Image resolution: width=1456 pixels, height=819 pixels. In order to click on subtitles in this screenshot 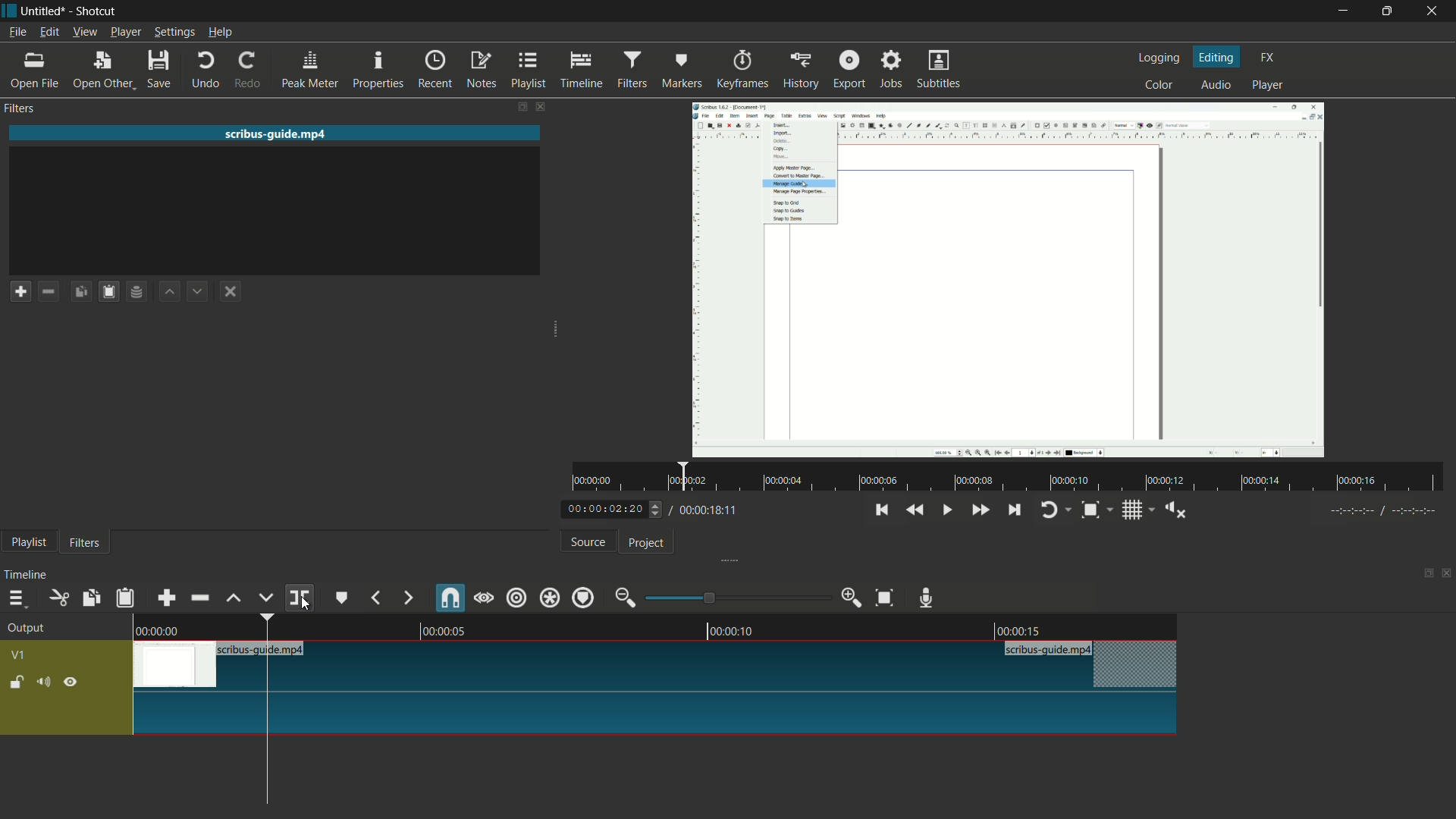, I will do `click(938, 68)`.